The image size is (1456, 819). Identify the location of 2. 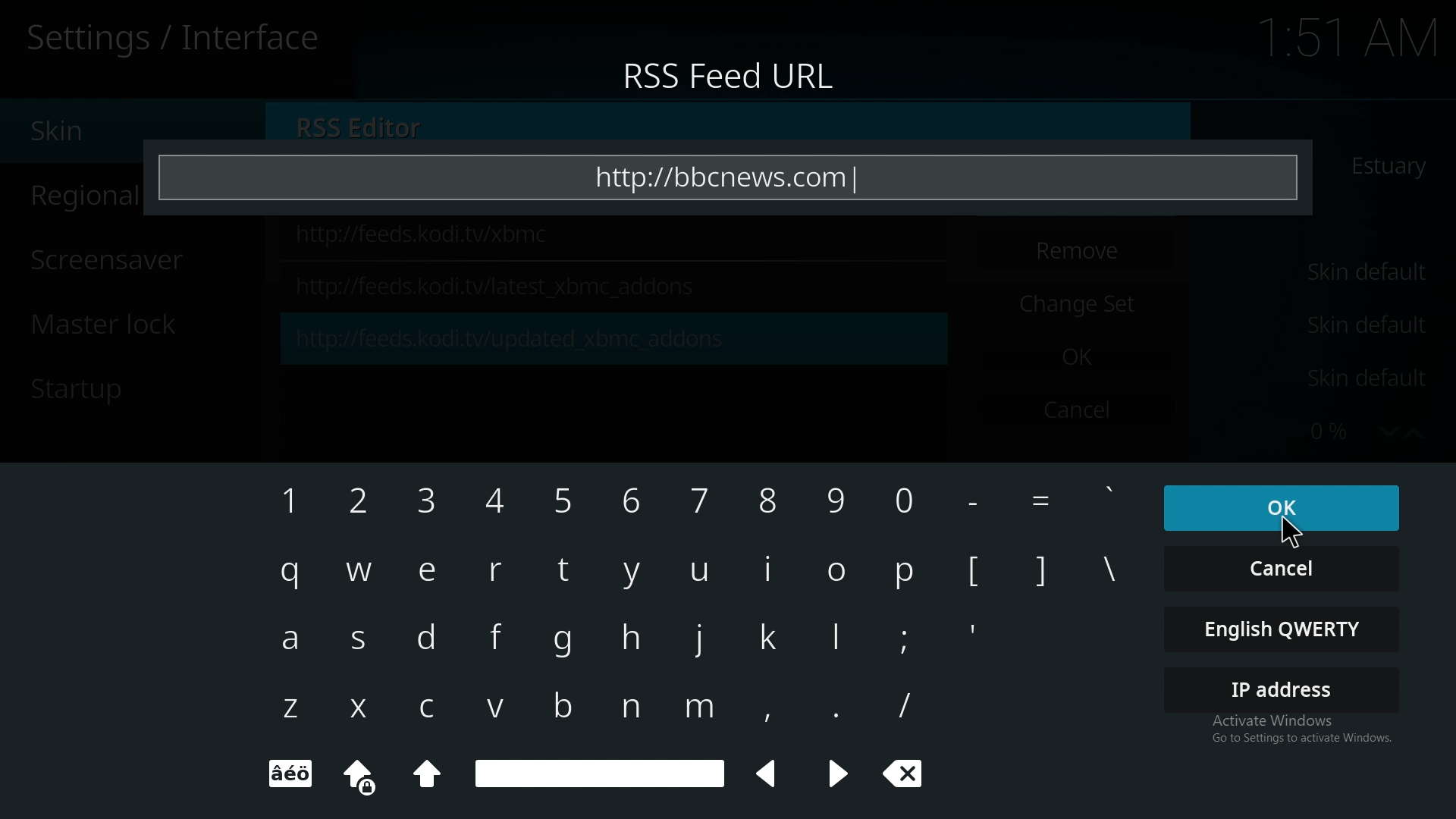
(370, 504).